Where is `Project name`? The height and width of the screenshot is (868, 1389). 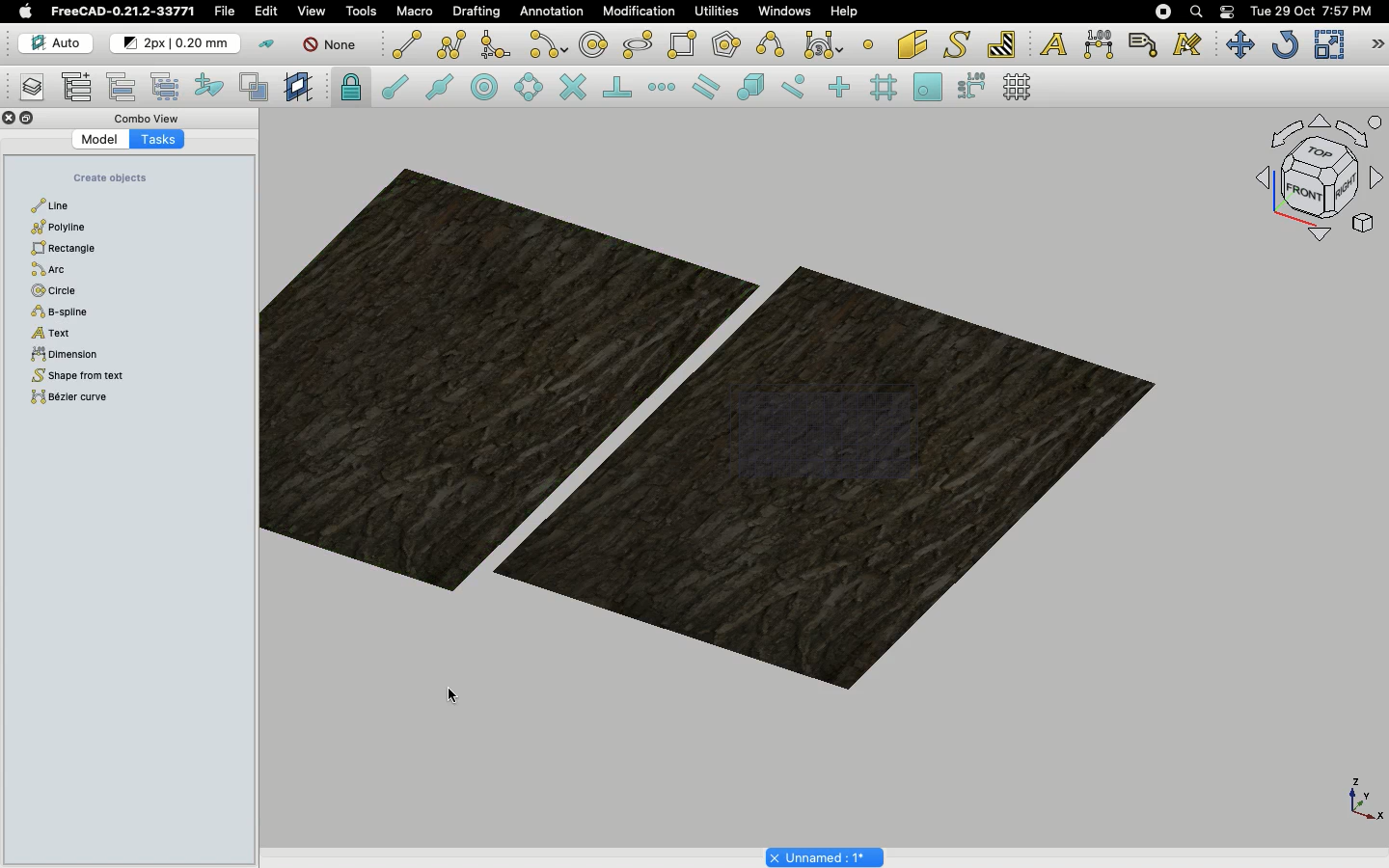
Project name is located at coordinates (827, 855).